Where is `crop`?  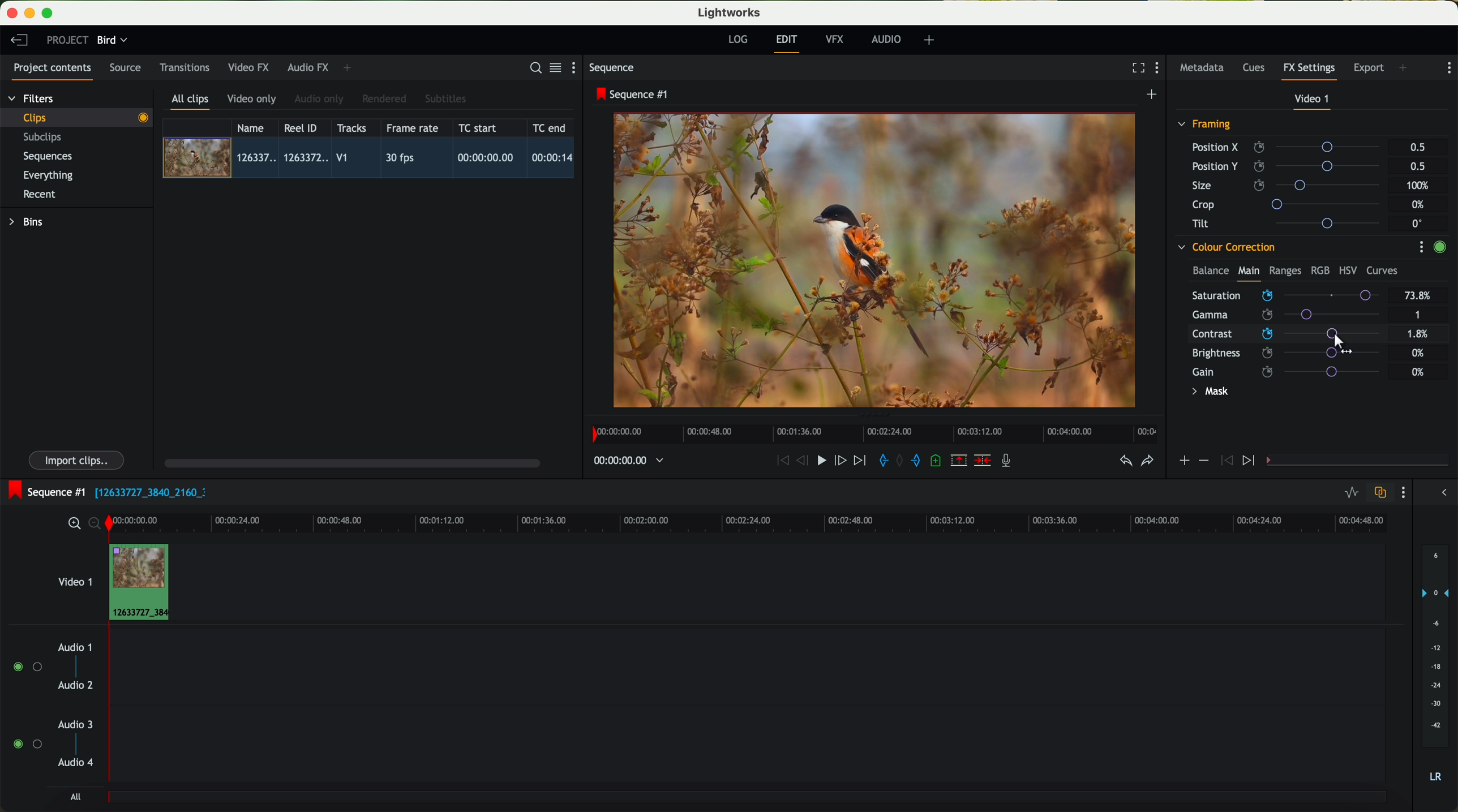 crop is located at coordinates (1290, 204).